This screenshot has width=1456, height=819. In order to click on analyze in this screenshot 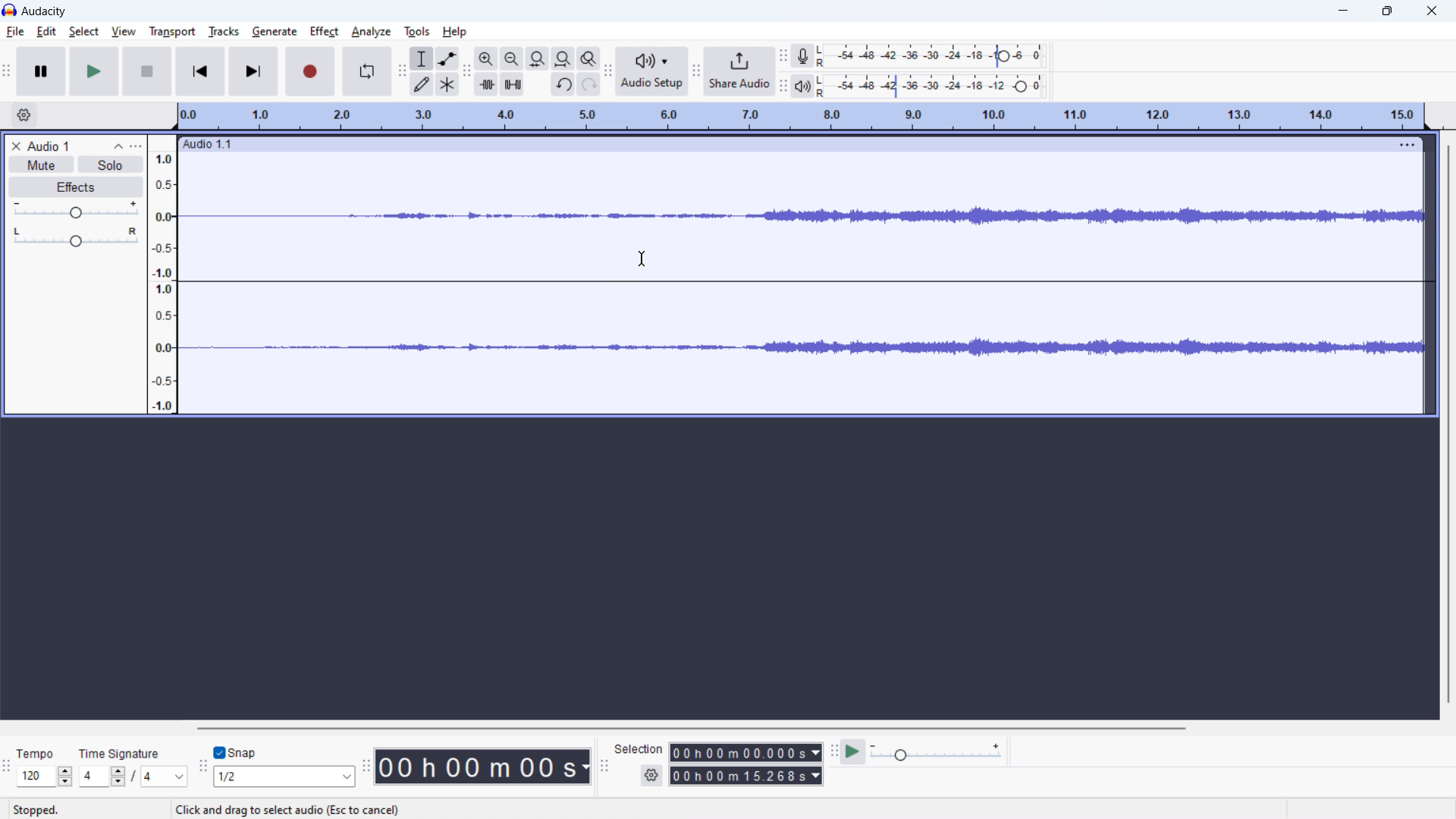, I will do `click(371, 33)`.